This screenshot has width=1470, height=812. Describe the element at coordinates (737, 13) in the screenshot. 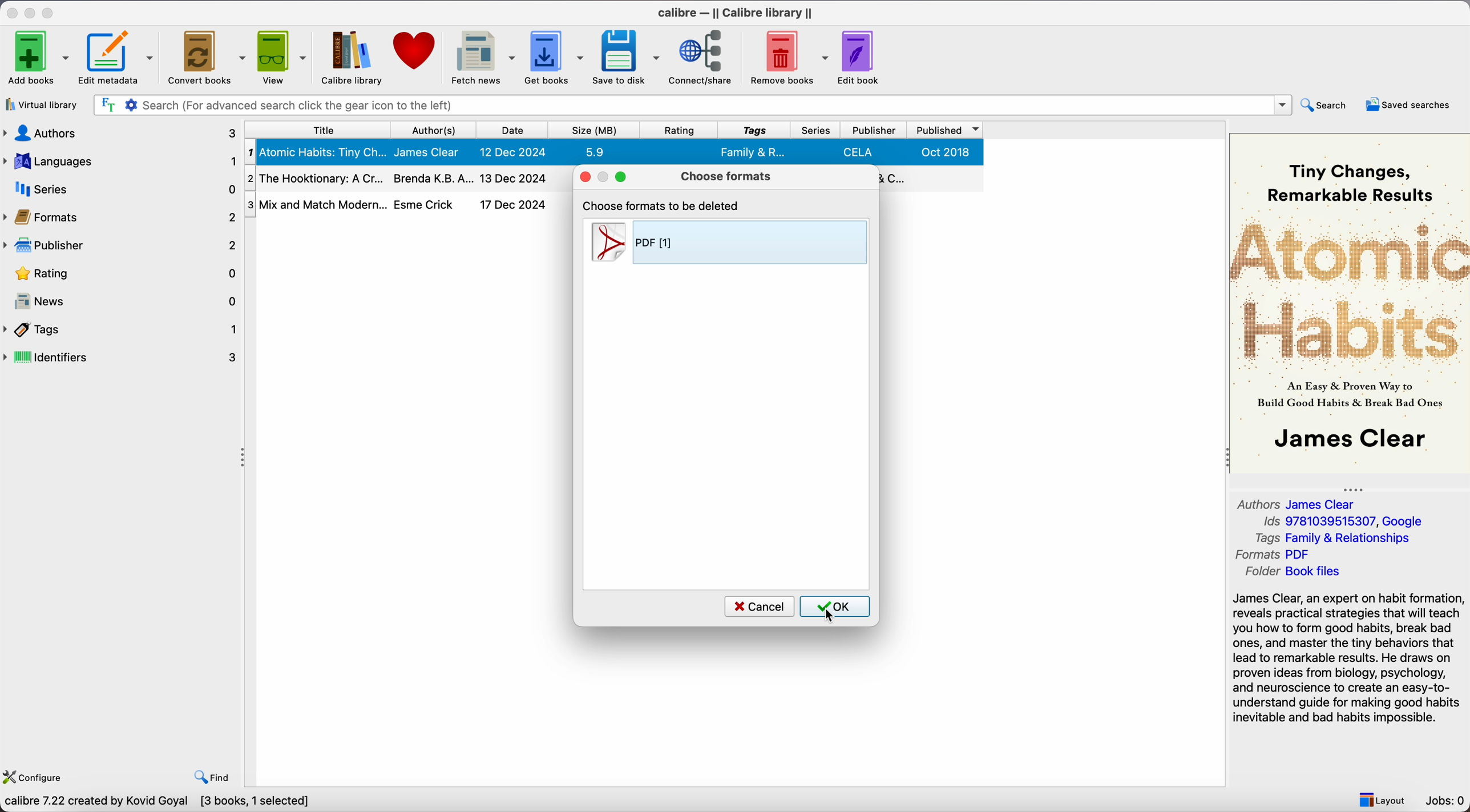

I see `Calibre - || Calibre library ||` at that location.